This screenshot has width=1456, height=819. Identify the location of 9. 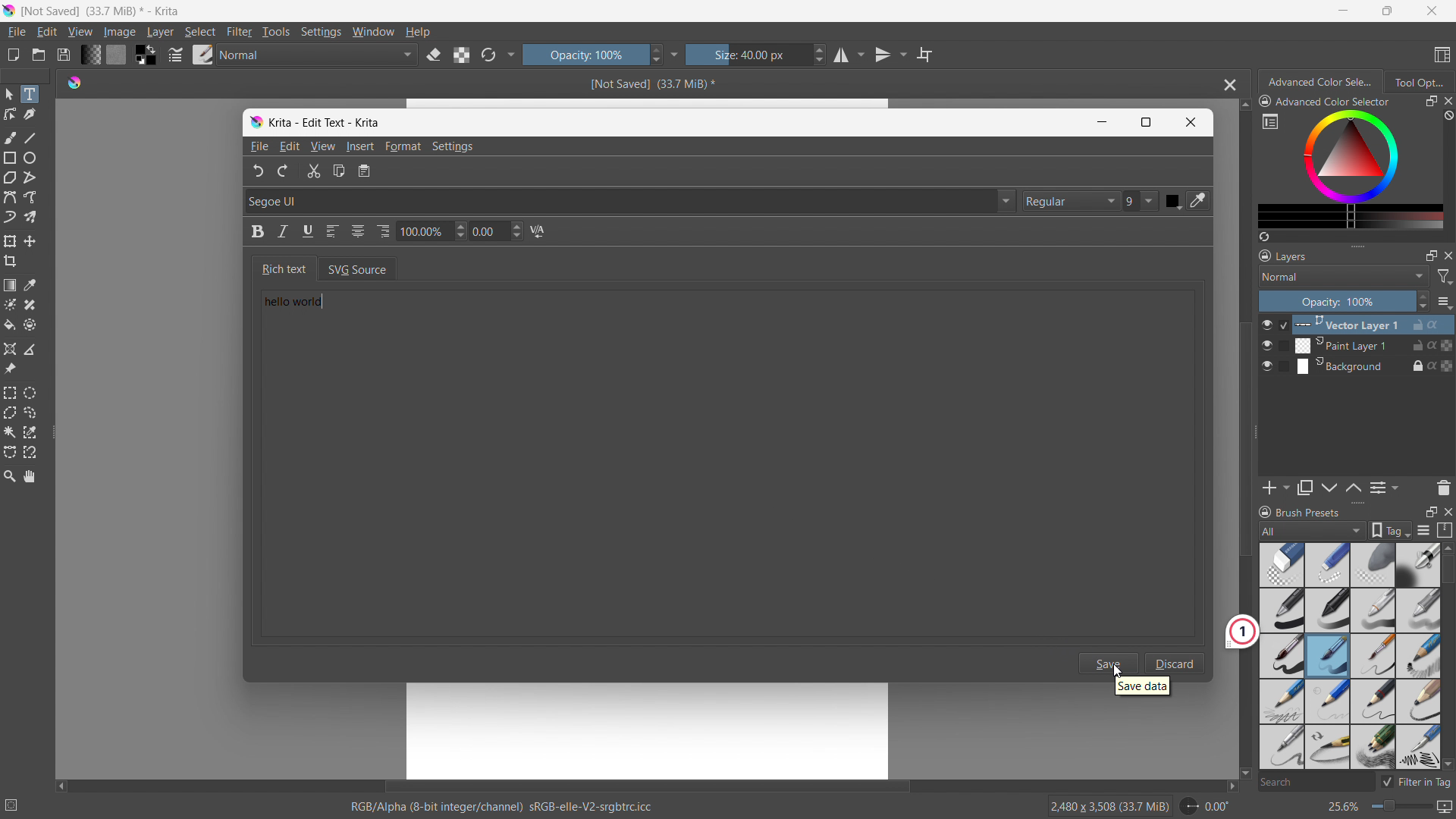
(1142, 202).